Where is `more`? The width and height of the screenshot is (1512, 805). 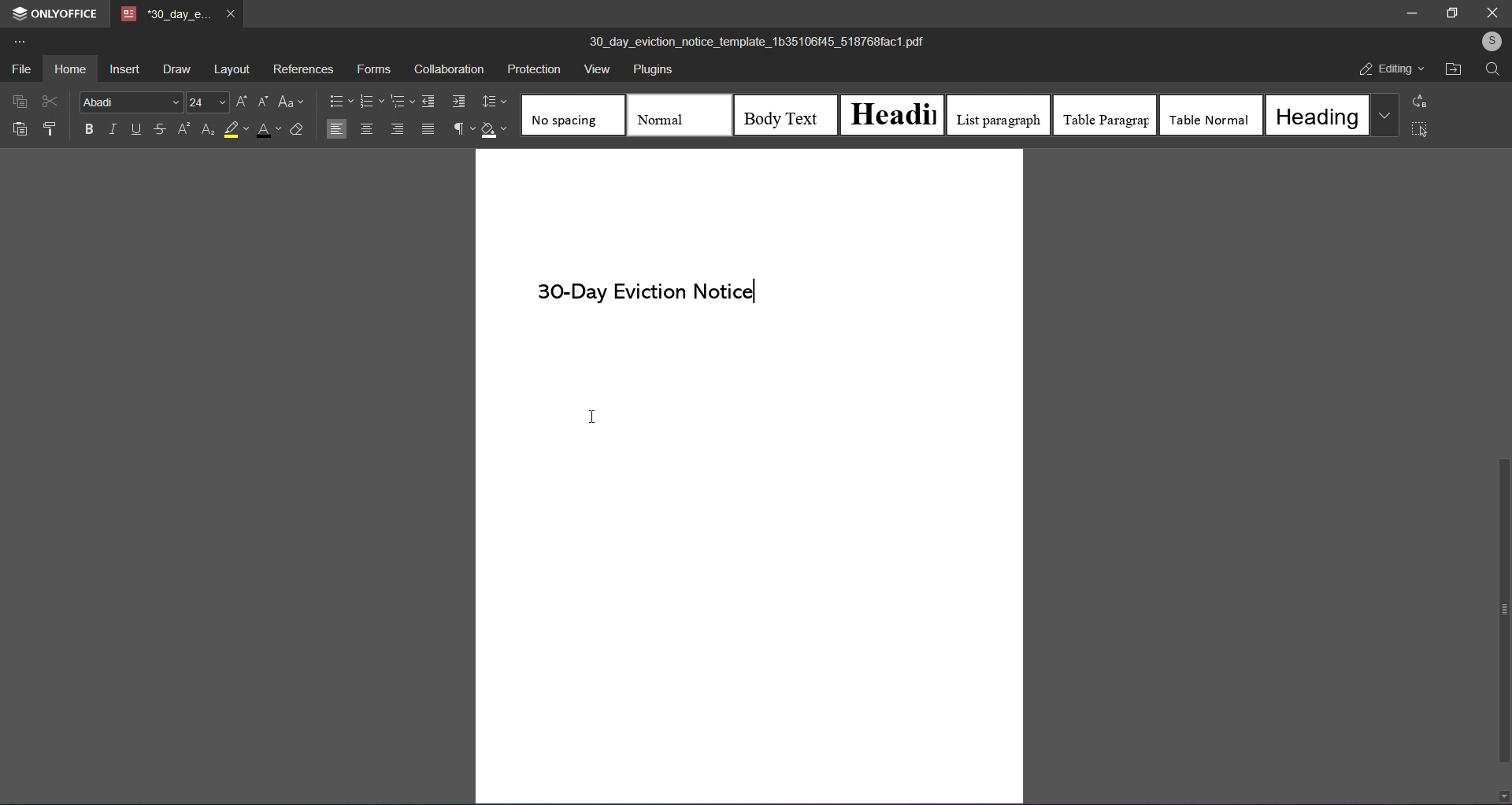
more is located at coordinates (20, 39).